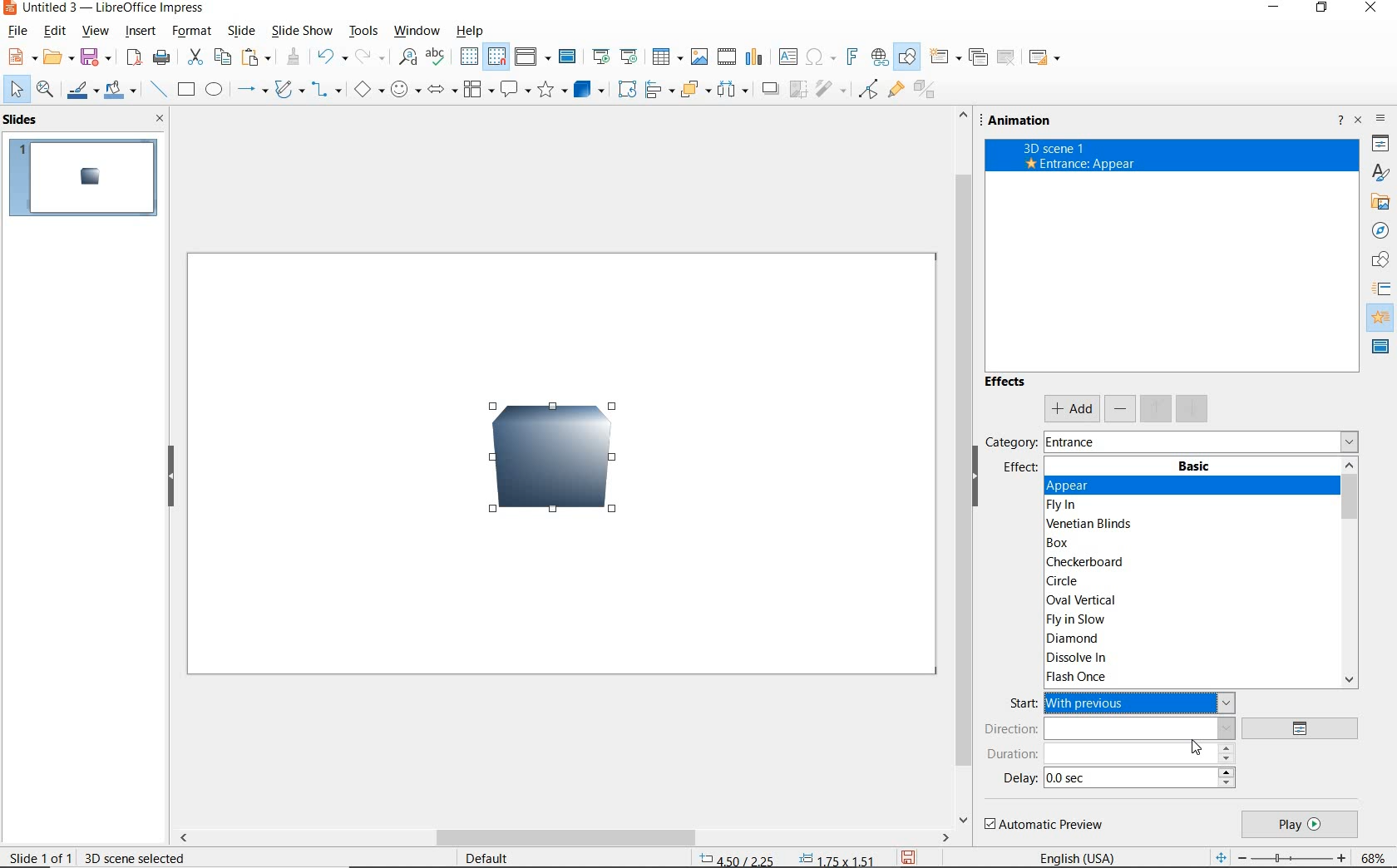  Describe the element at coordinates (1046, 58) in the screenshot. I see `slide layout` at that location.